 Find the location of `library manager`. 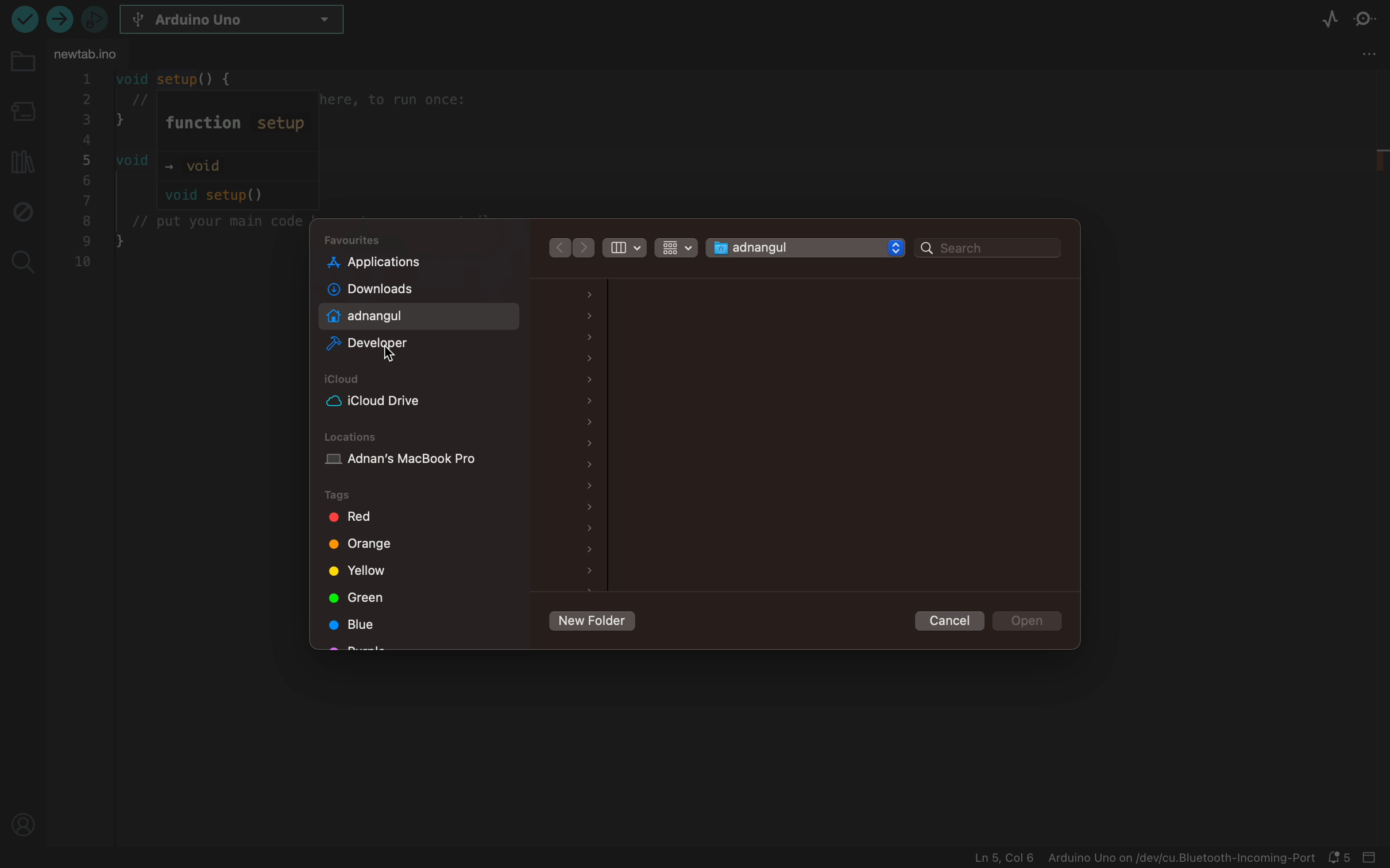

library manager is located at coordinates (20, 158).